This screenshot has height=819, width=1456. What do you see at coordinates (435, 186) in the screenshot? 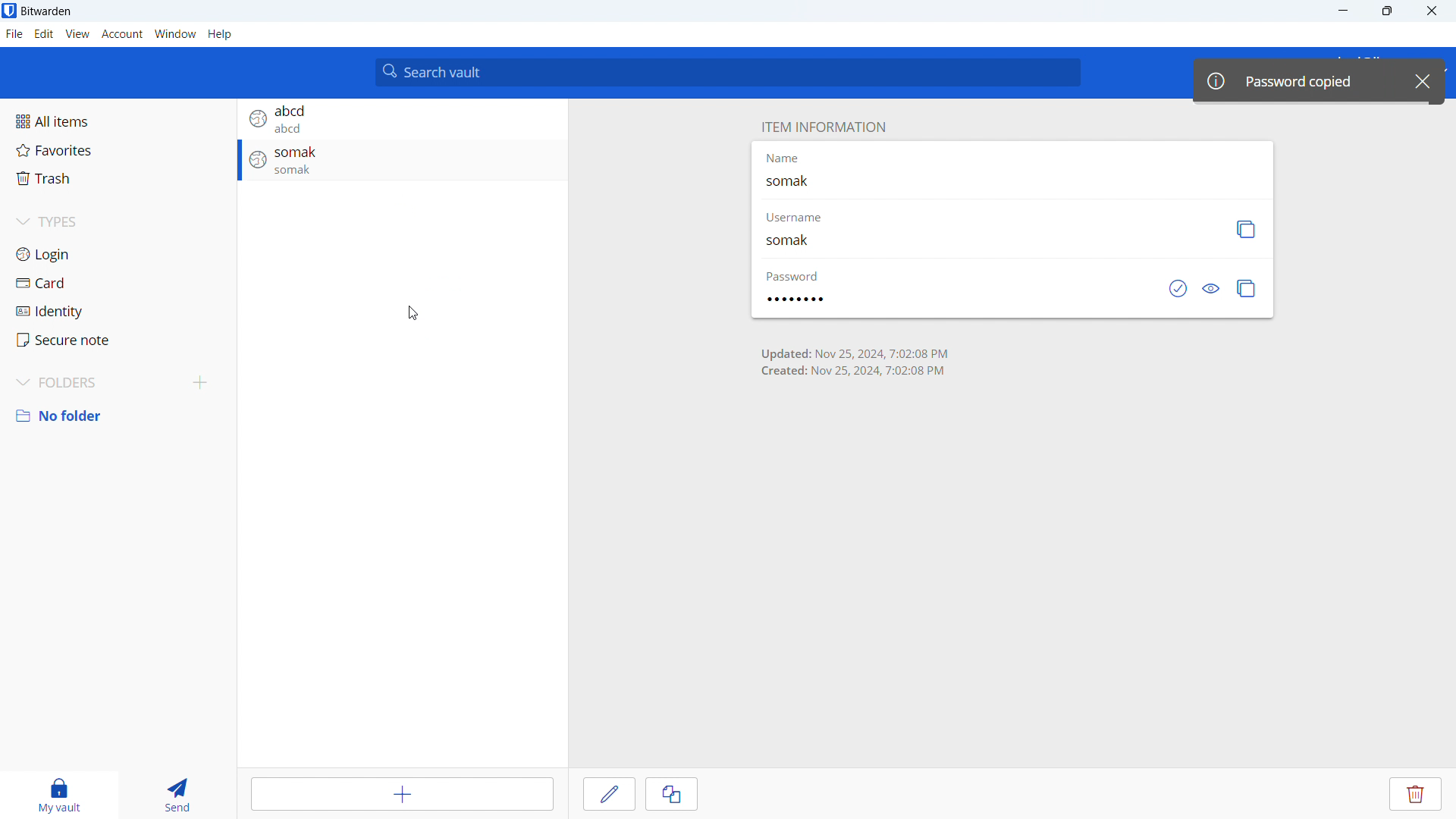
I see `view` at bounding box center [435, 186].